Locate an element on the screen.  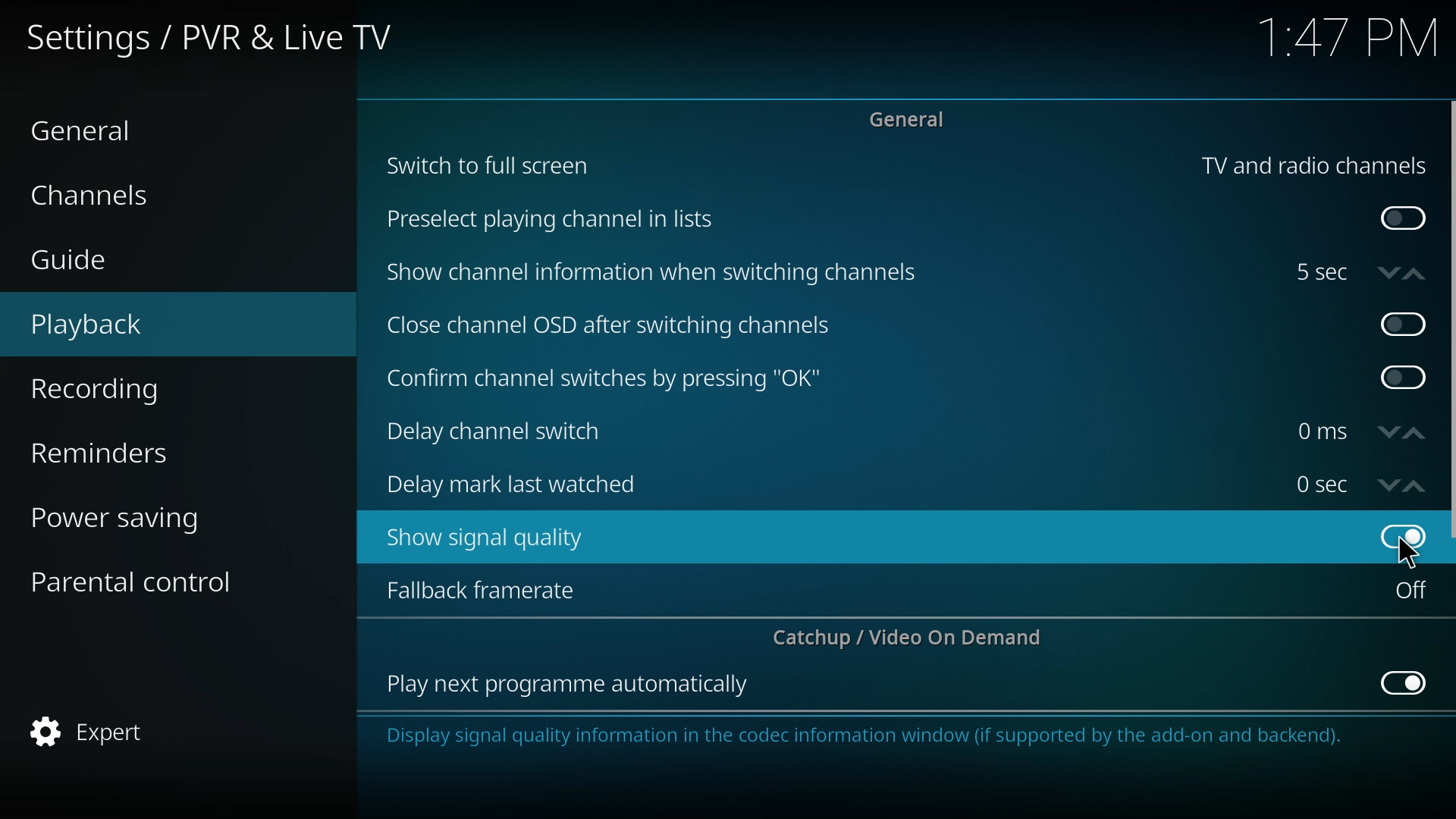
off is located at coordinates (1401, 538).